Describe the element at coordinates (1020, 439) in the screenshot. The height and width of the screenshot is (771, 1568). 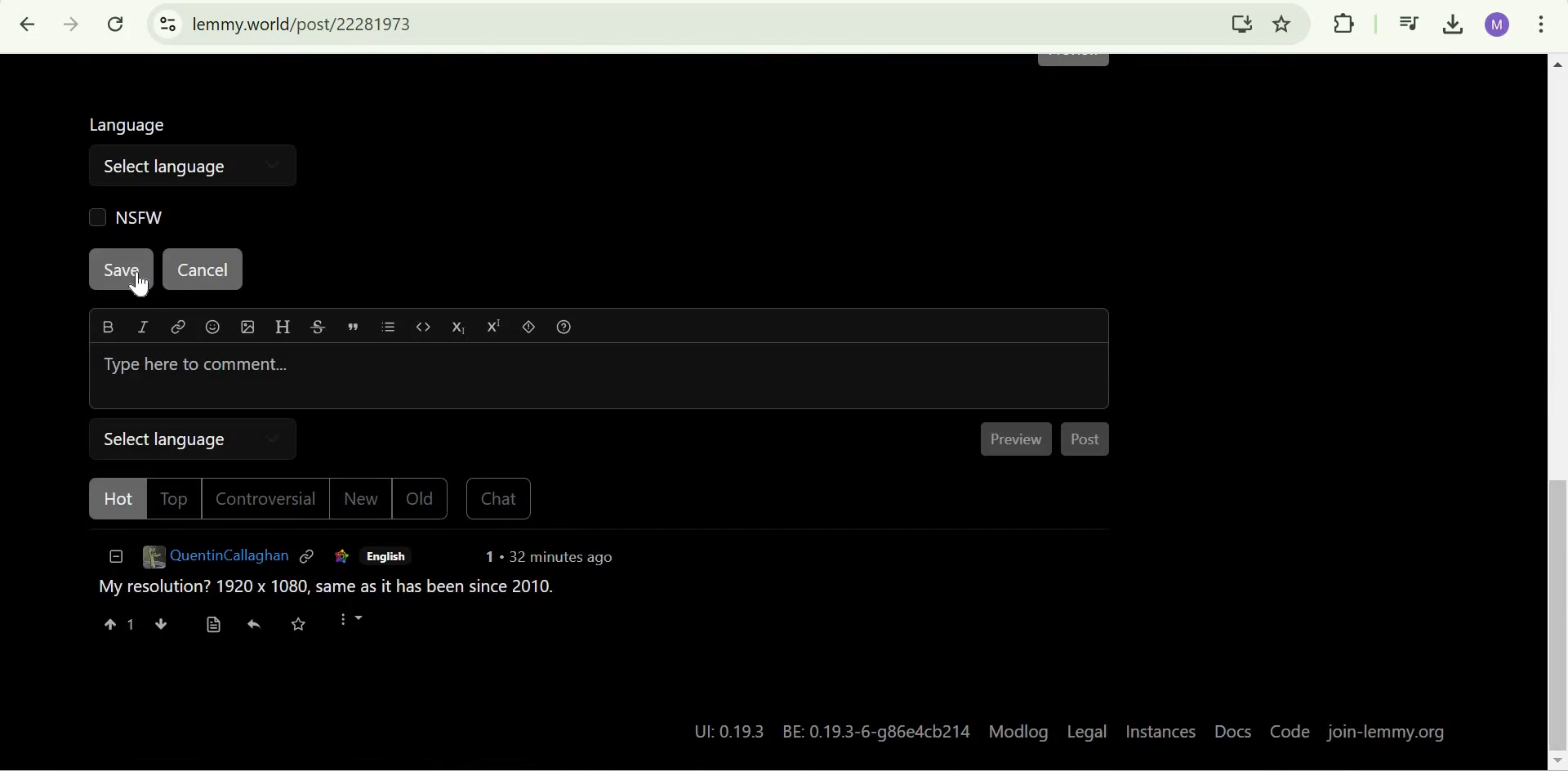
I see `Preview` at that location.